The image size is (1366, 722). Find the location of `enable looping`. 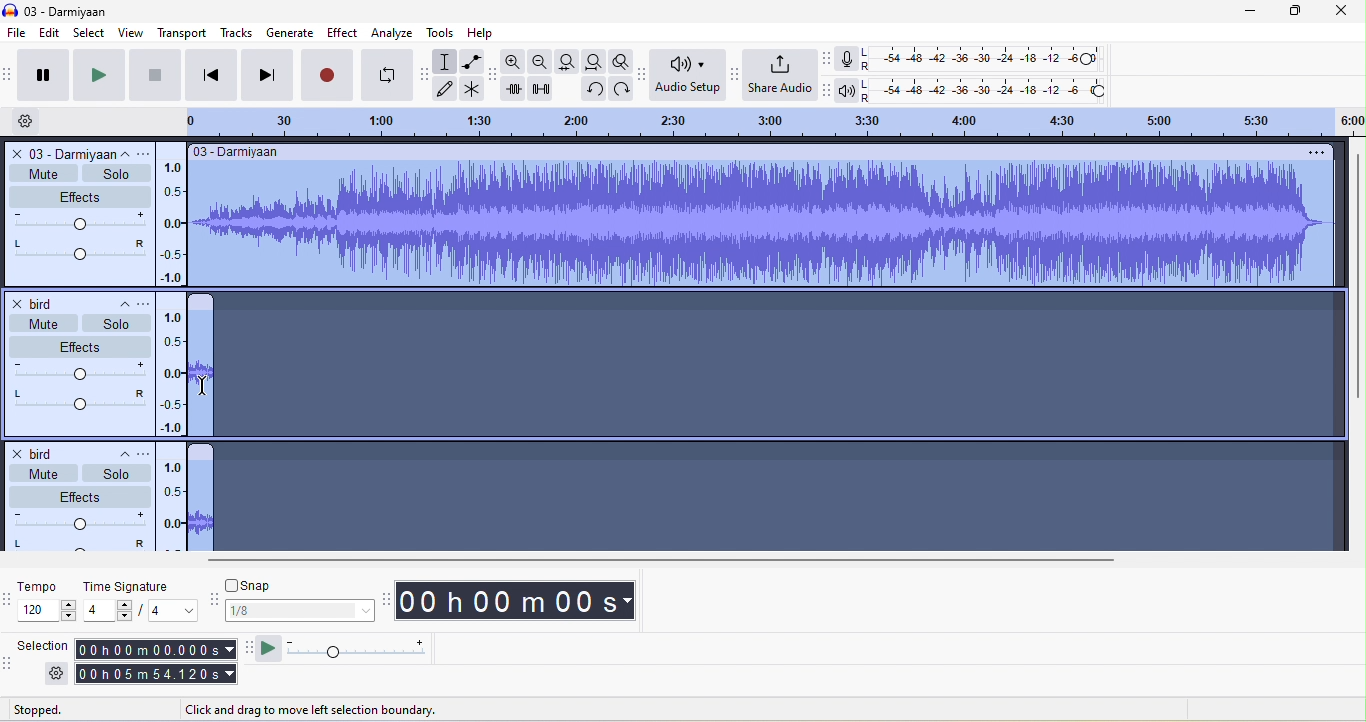

enable looping is located at coordinates (389, 76).